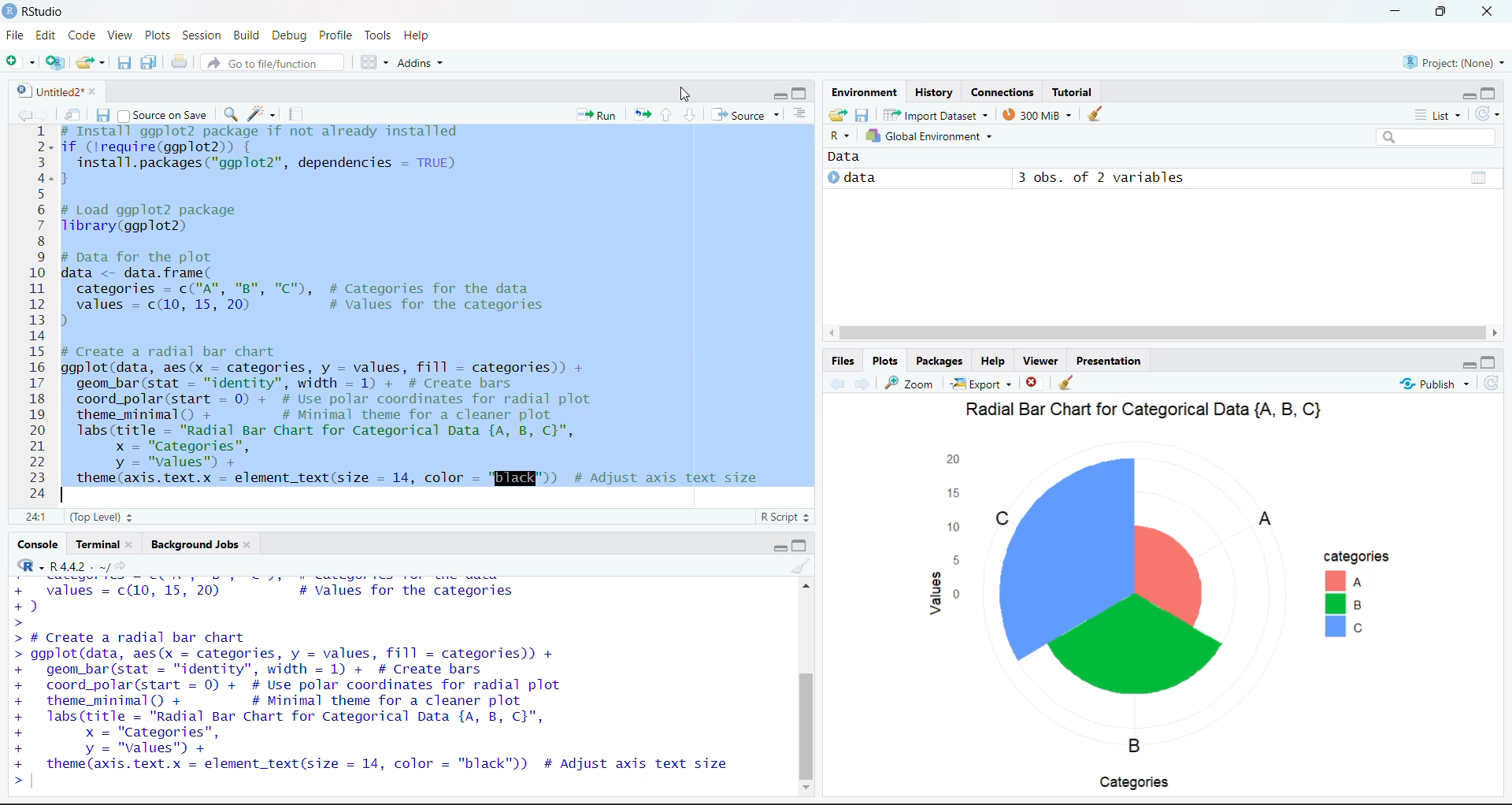  I want to click on values, so click(932, 592).